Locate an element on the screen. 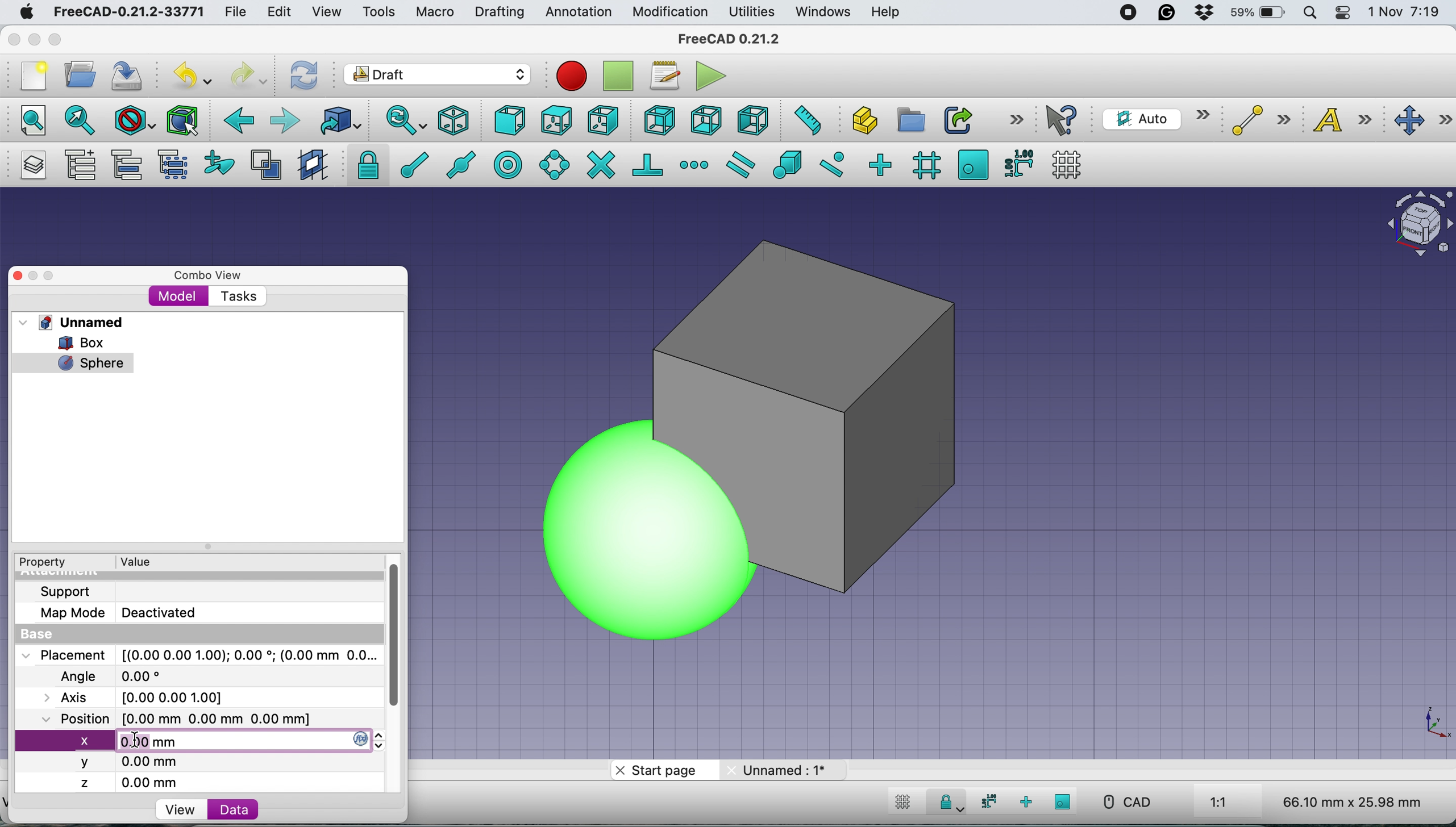 The height and width of the screenshot is (827, 1456). current working plane is located at coordinates (1153, 118).